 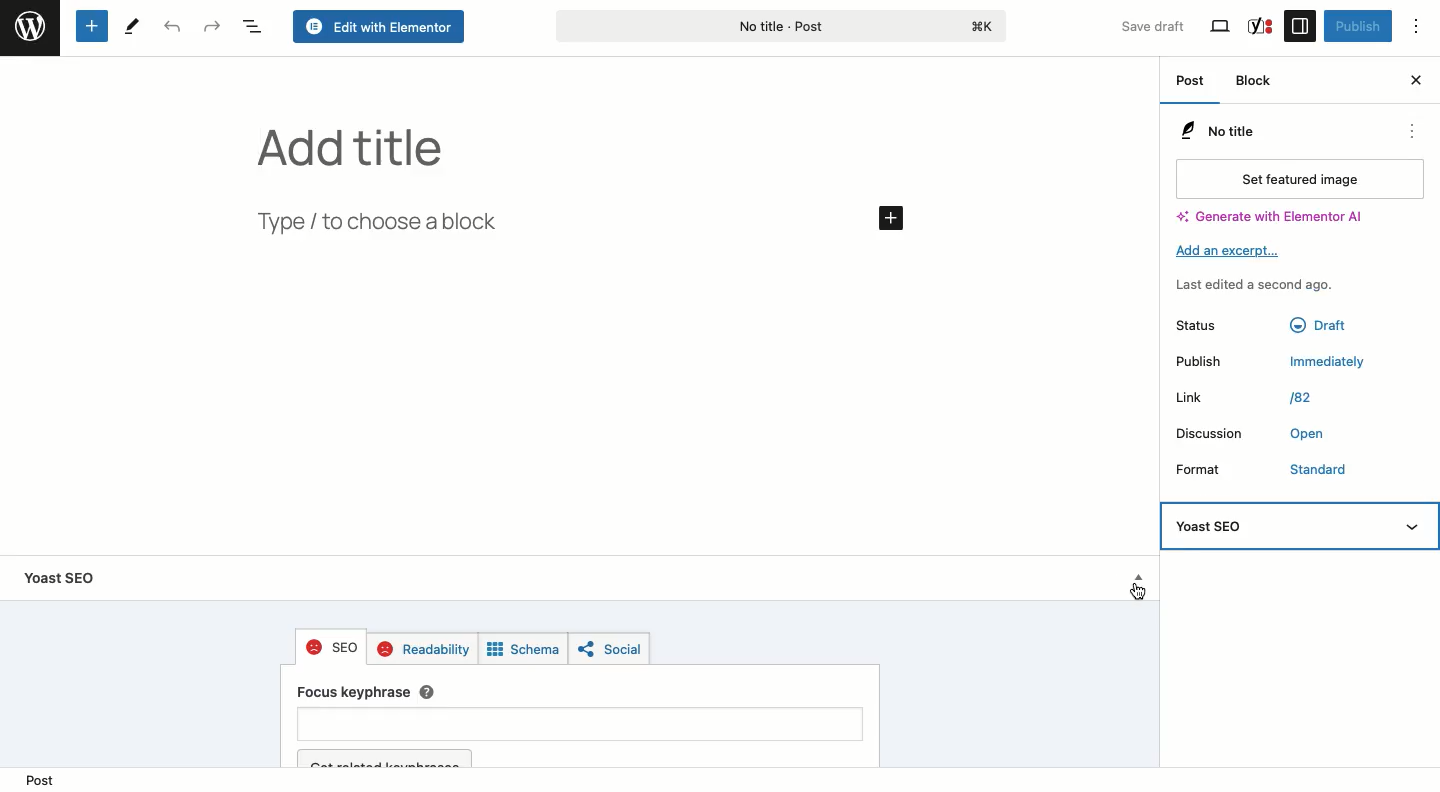 What do you see at coordinates (74, 576) in the screenshot?
I see `Yoast SEO` at bounding box center [74, 576].